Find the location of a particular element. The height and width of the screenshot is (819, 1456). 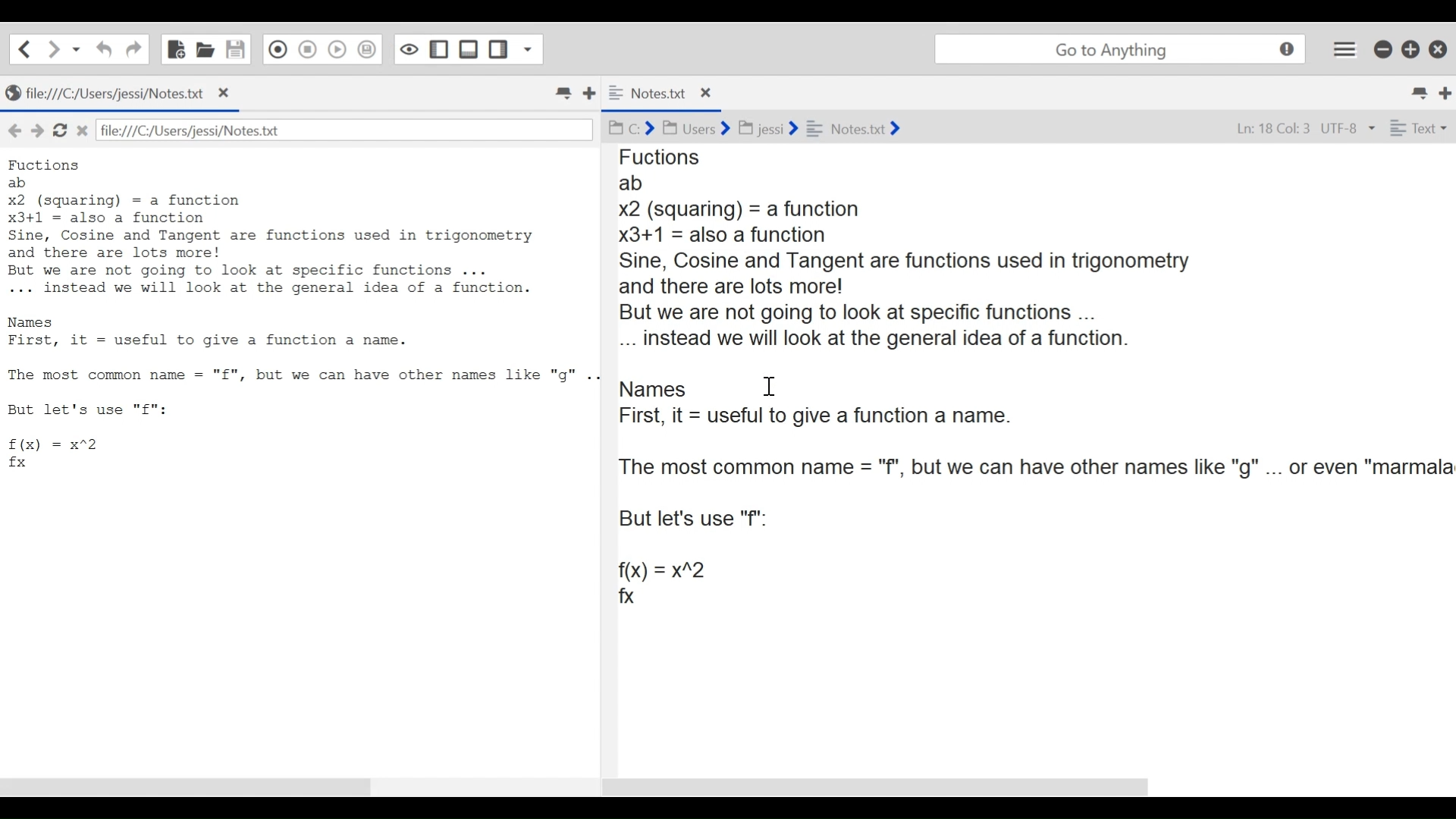

Show/Hide left Pane is located at coordinates (439, 50).